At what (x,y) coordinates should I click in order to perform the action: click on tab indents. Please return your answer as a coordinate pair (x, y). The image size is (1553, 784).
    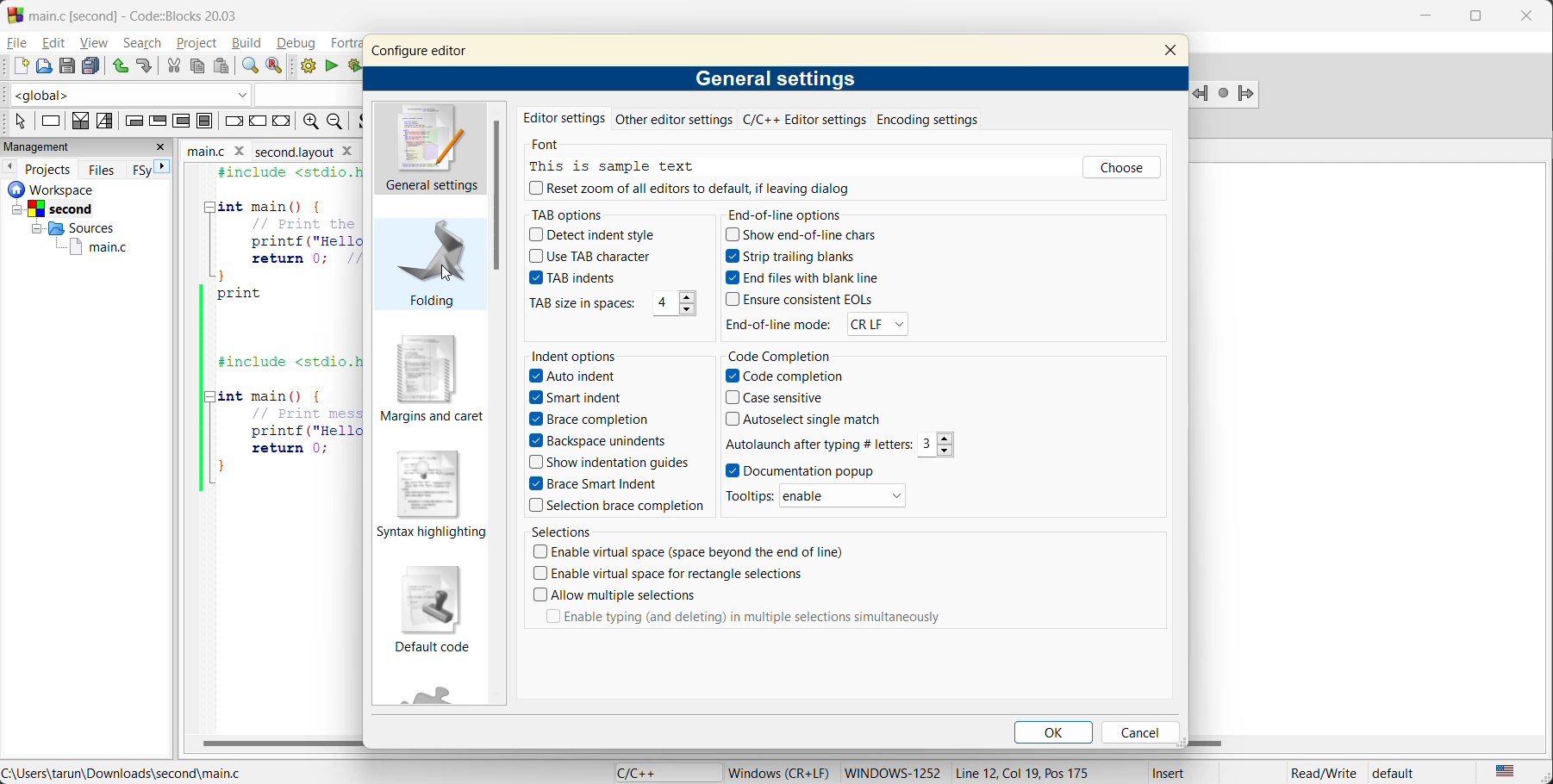
    Looking at the image, I should click on (576, 277).